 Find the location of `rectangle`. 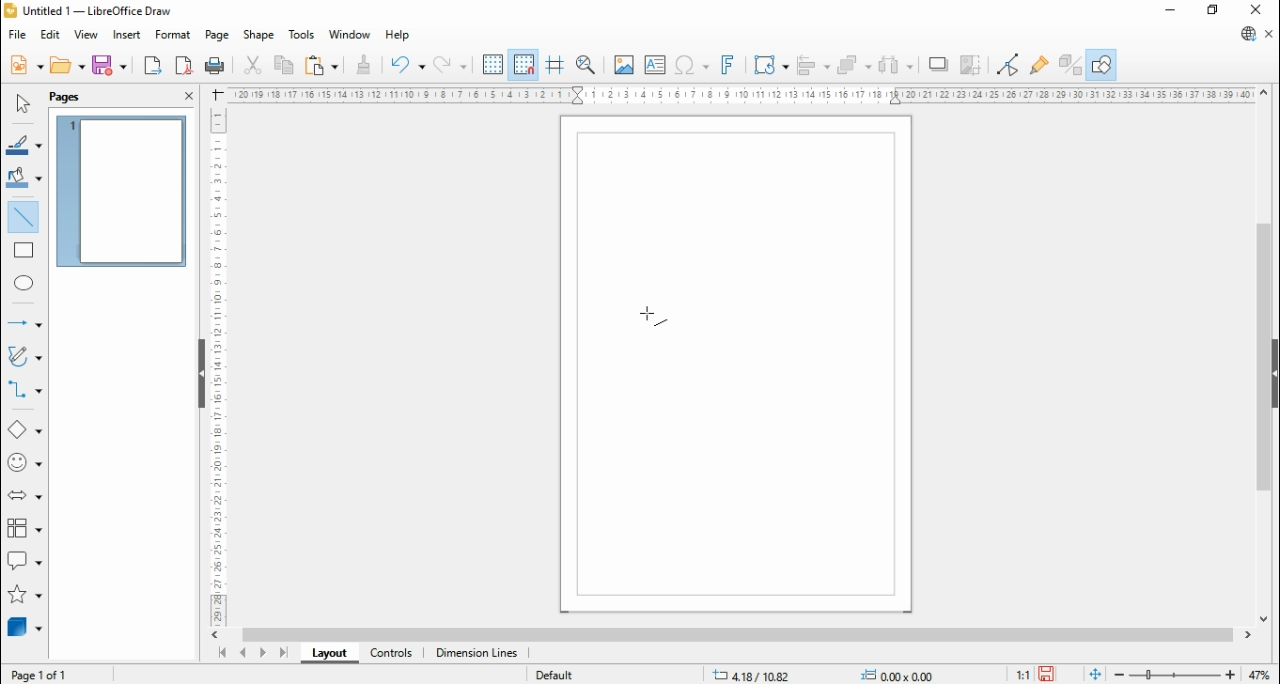

rectangle is located at coordinates (24, 250).